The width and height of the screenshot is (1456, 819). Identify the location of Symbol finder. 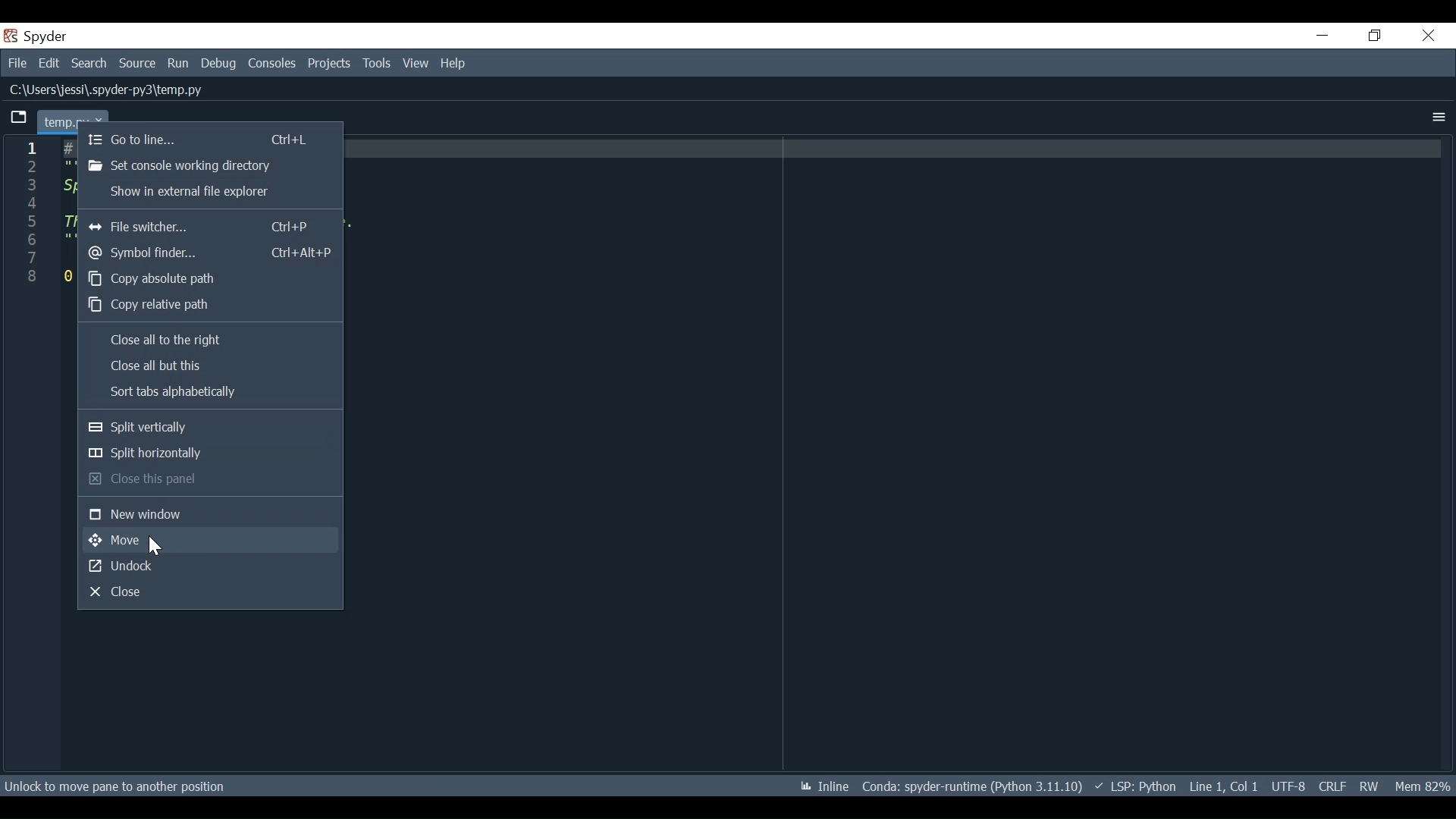
(209, 253).